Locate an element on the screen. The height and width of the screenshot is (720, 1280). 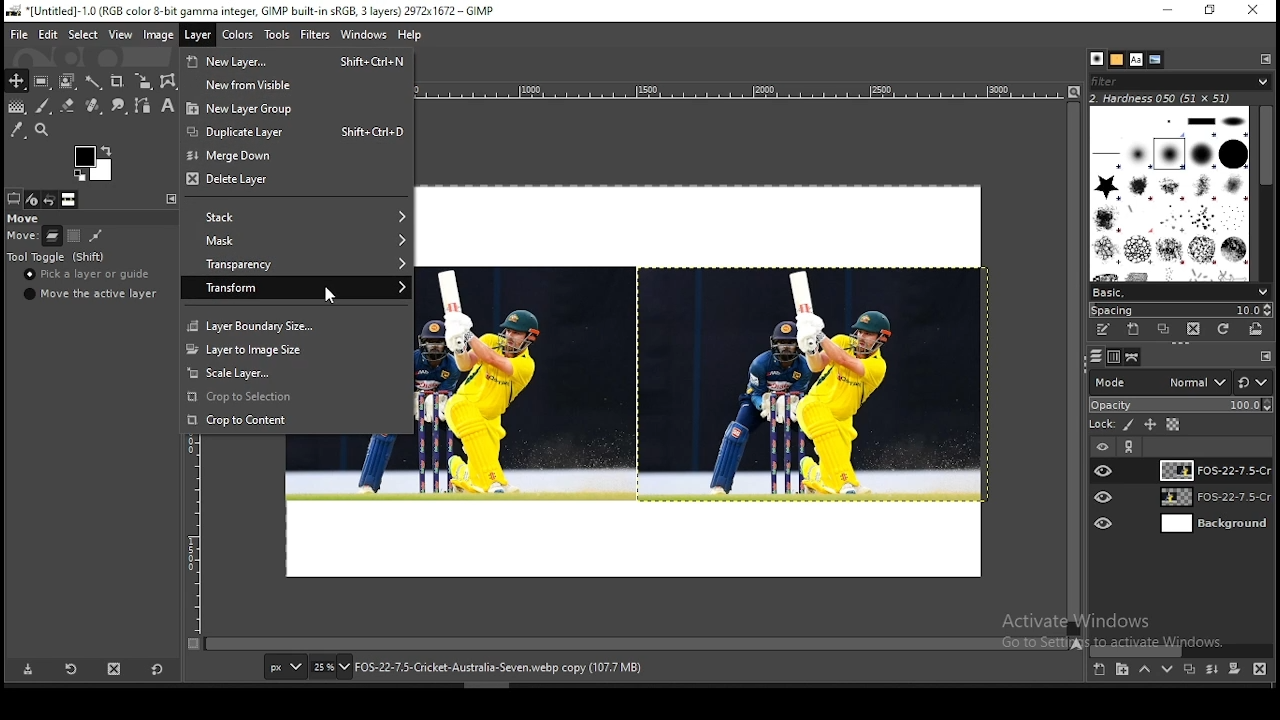
gradient tool is located at coordinates (16, 108).